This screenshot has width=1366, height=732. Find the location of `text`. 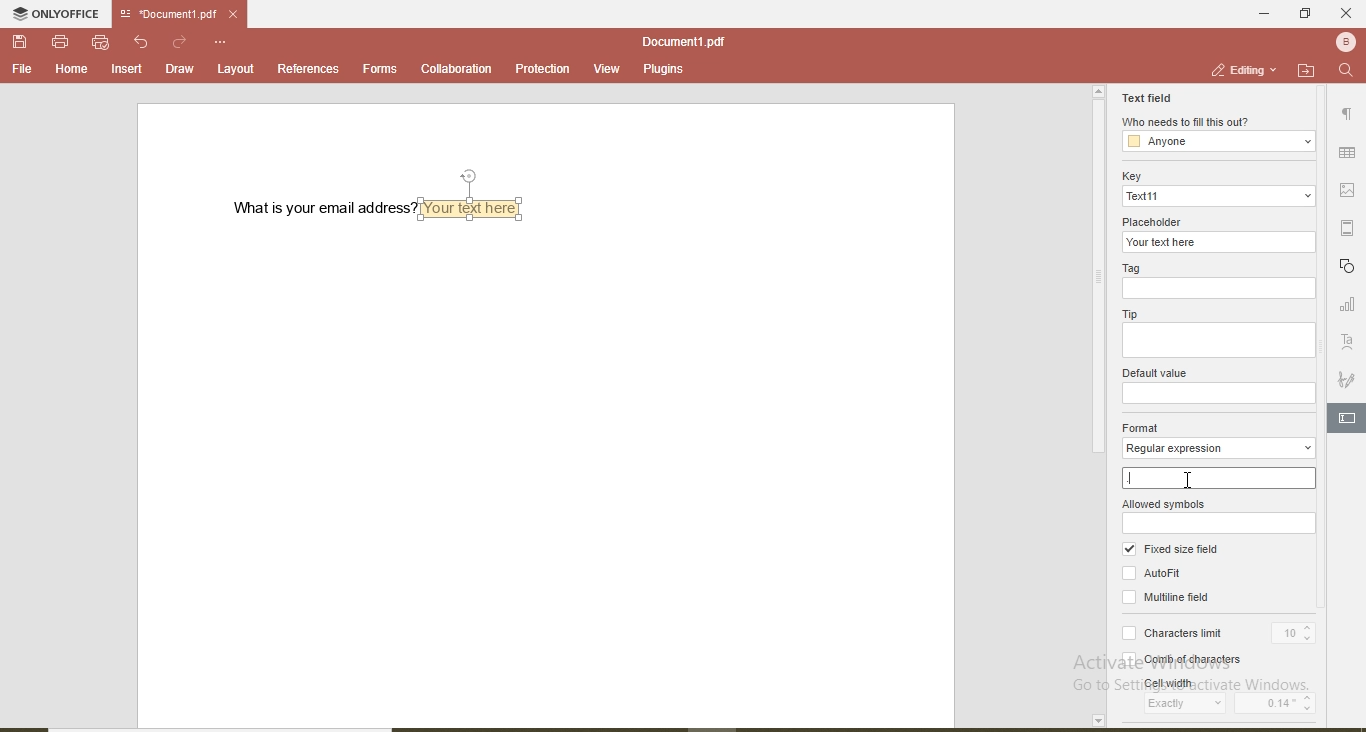

text is located at coordinates (1348, 342).